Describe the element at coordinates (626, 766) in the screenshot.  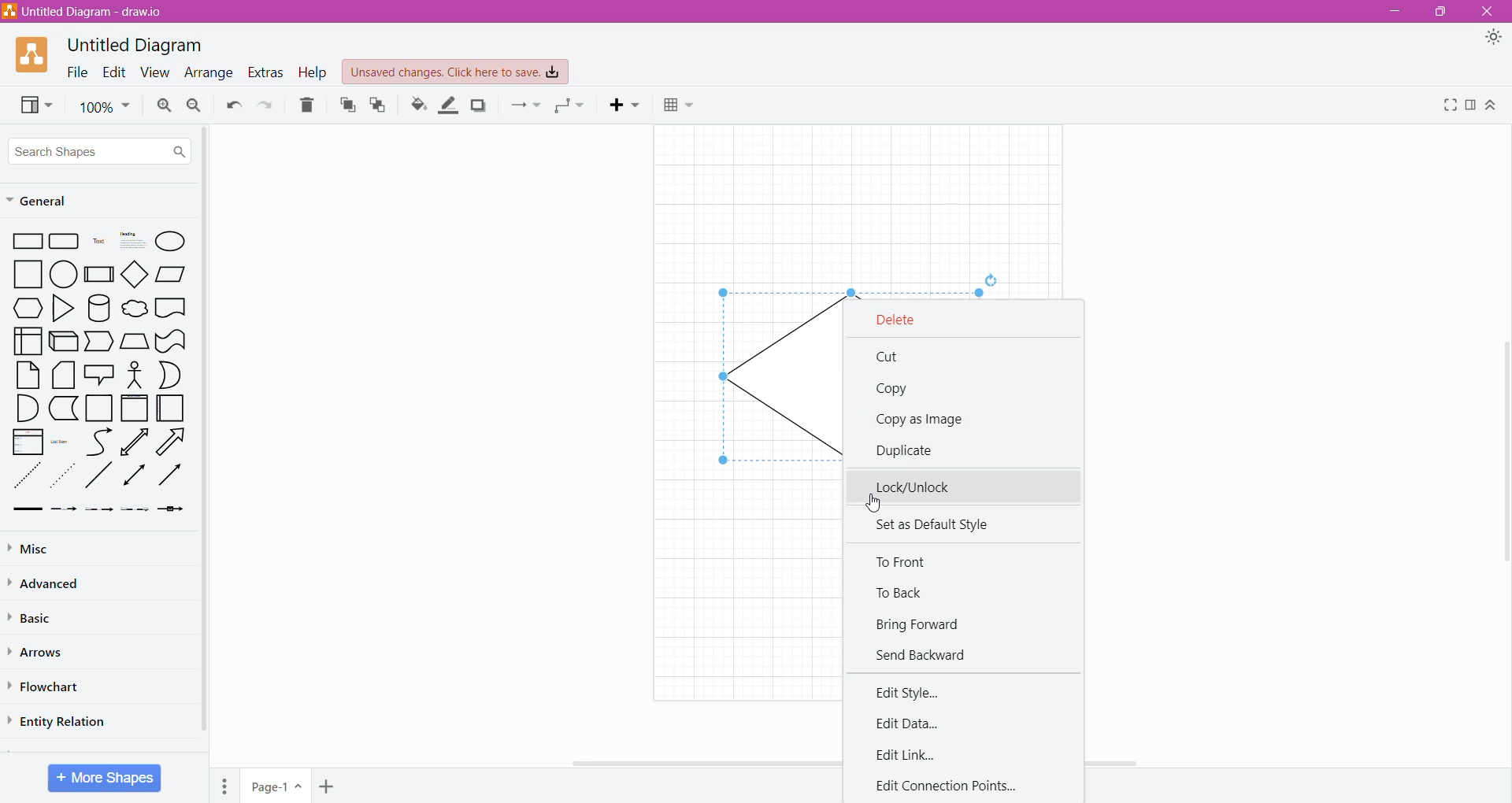
I see `Horizontal Scroll Bar` at that location.